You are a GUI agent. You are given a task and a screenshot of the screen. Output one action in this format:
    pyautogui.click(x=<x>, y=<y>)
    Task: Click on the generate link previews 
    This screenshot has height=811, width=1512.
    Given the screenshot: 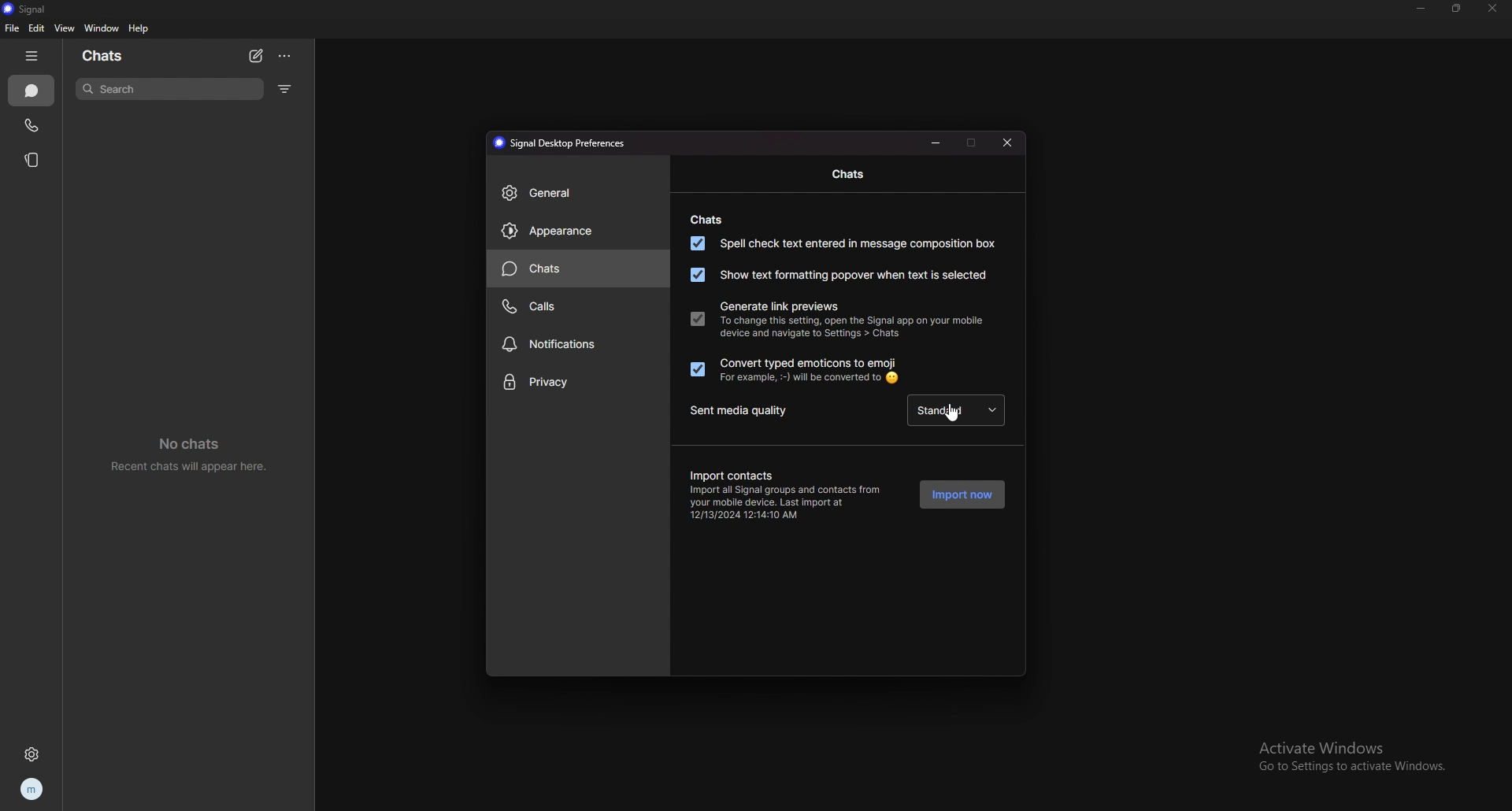 What is the action you would take?
    pyautogui.click(x=779, y=307)
    